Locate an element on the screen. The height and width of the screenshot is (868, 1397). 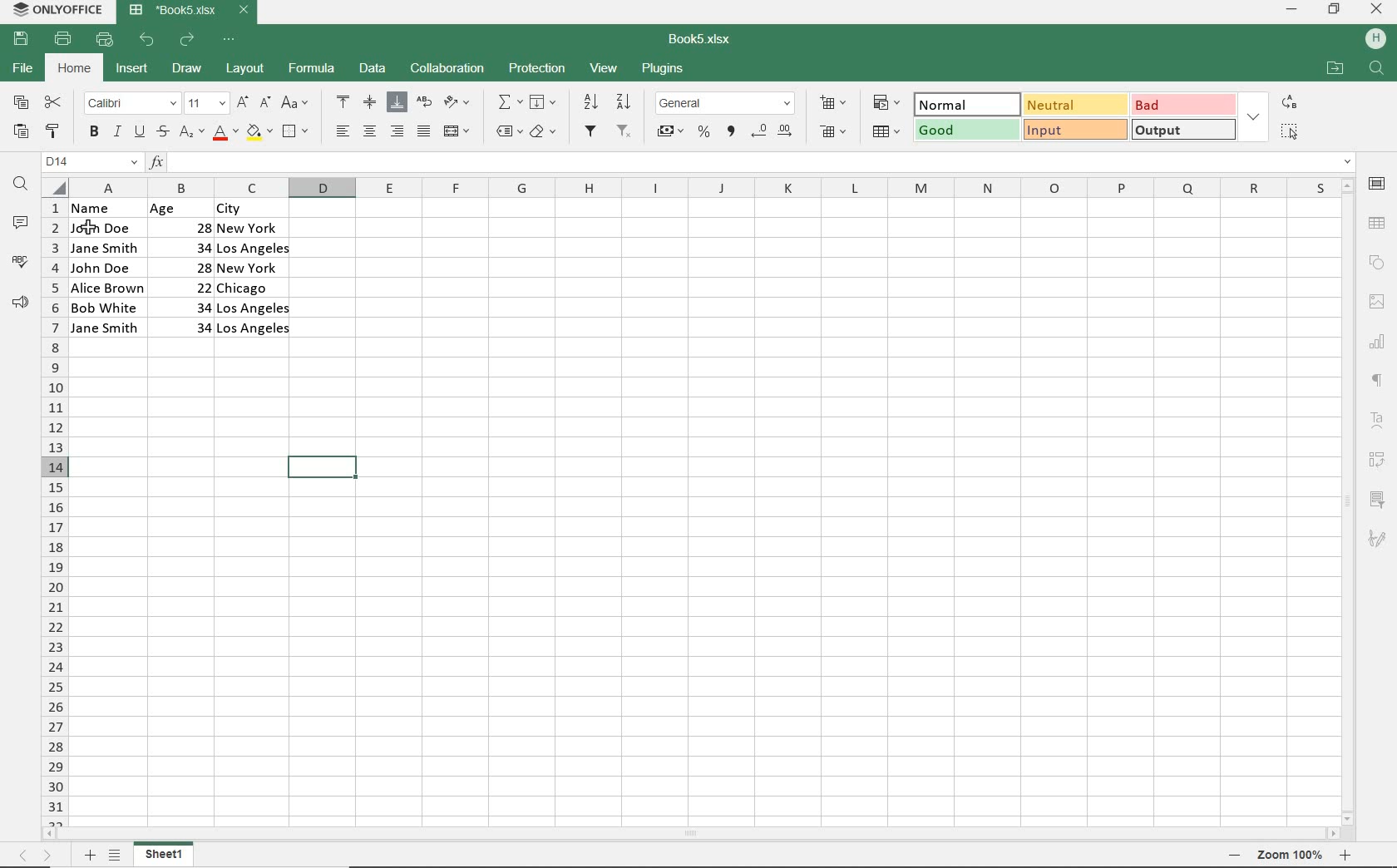
PRINT is located at coordinates (63, 38).